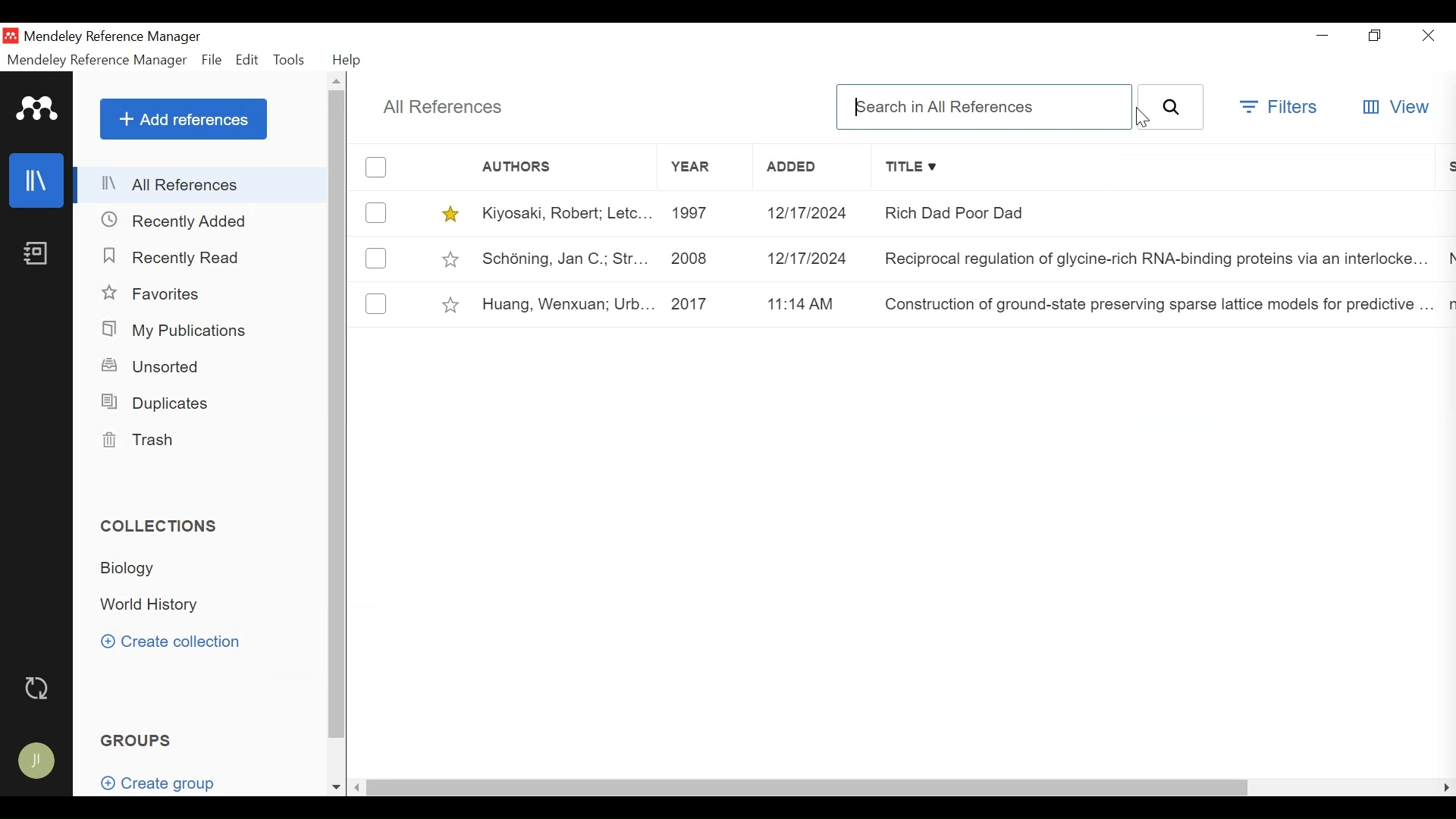 This screenshot has height=819, width=1456. Describe the element at coordinates (701, 213) in the screenshot. I see `1997` at that location.